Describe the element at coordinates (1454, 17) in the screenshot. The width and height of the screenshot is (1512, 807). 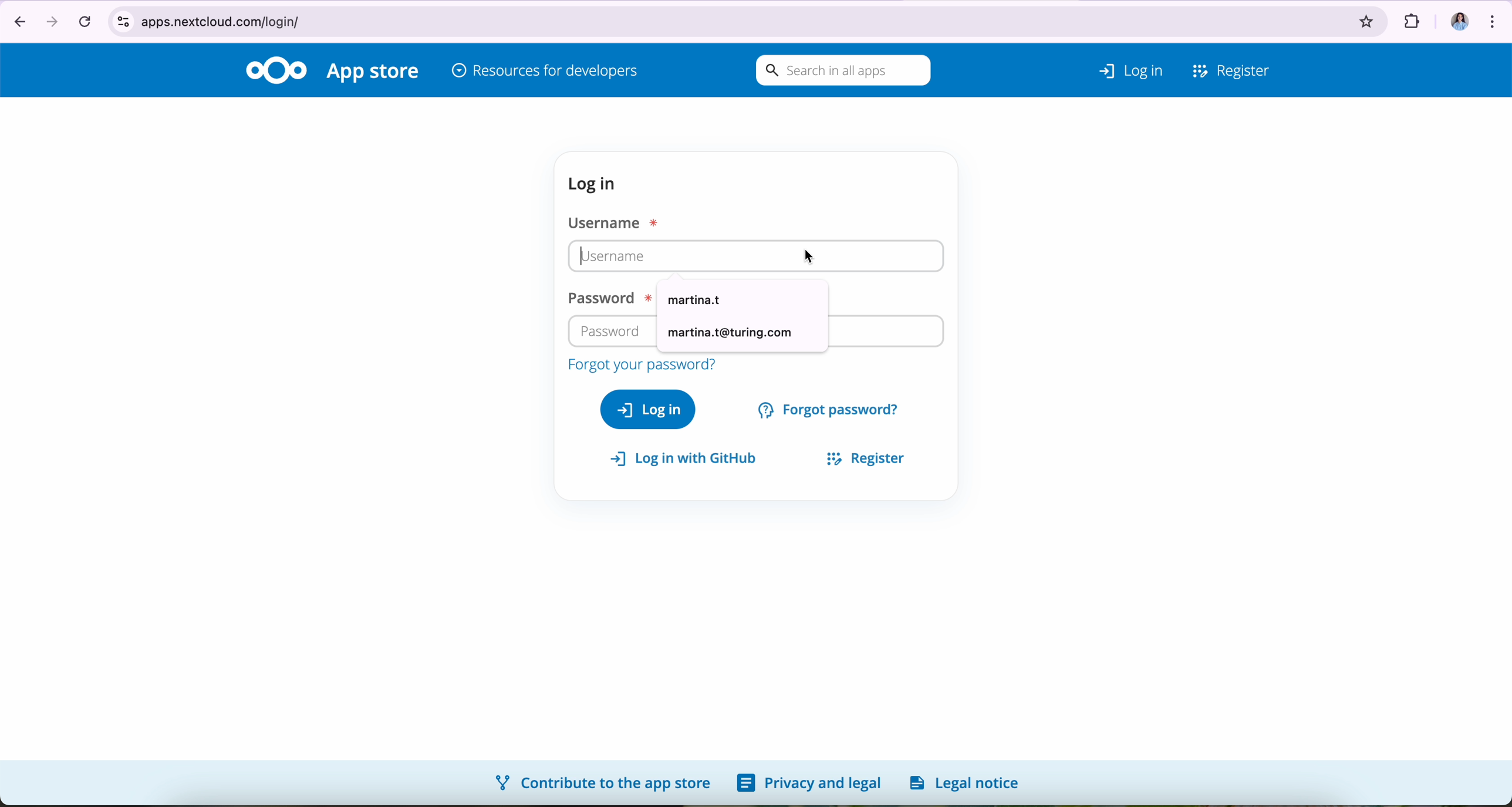
I see `profile` at that location.